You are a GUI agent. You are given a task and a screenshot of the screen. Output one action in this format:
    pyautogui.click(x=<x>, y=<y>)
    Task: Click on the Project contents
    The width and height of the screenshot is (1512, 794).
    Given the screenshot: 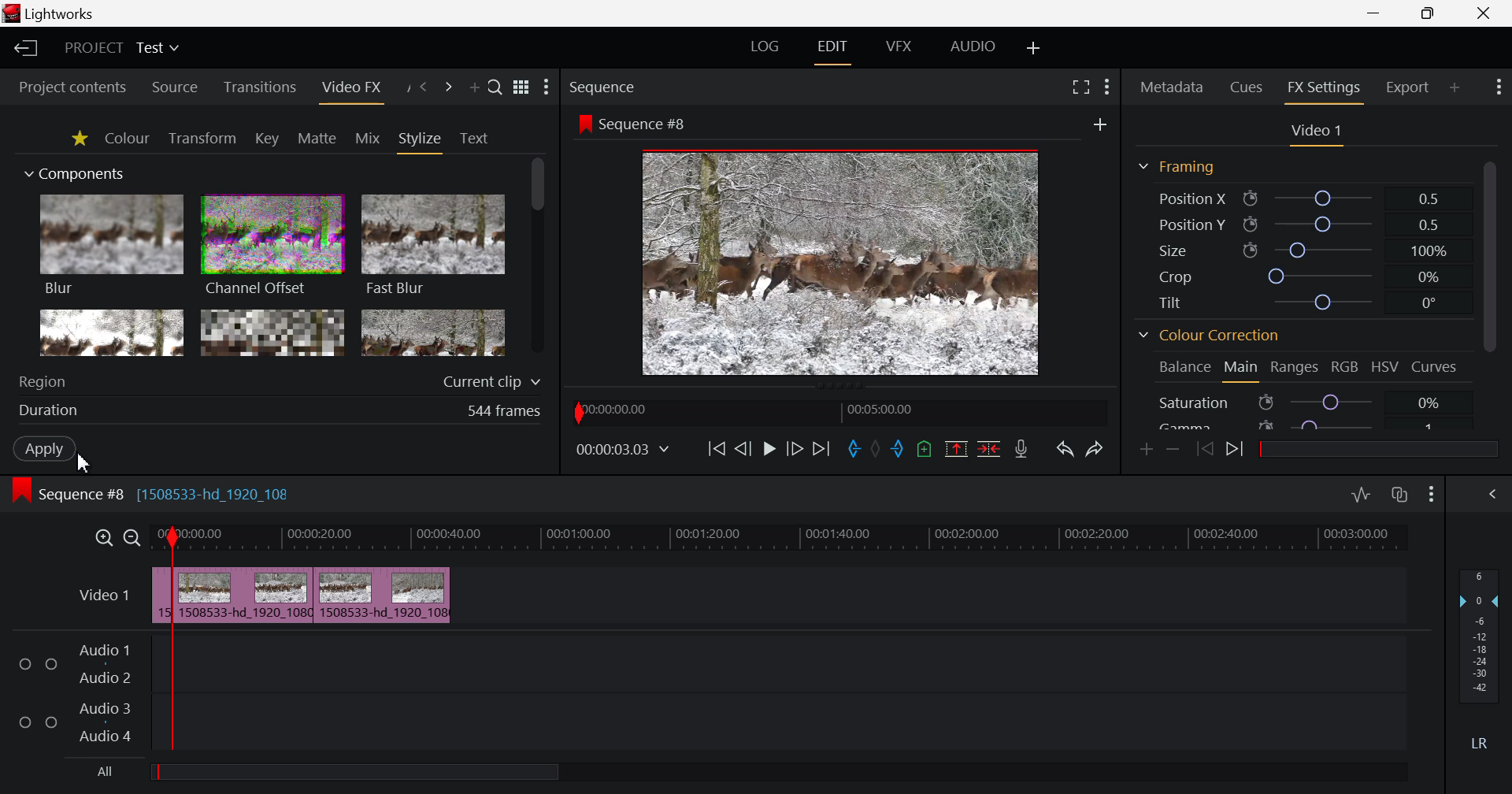 What is the action you would take?
    pyautogui.click(x=72, y=85)
    